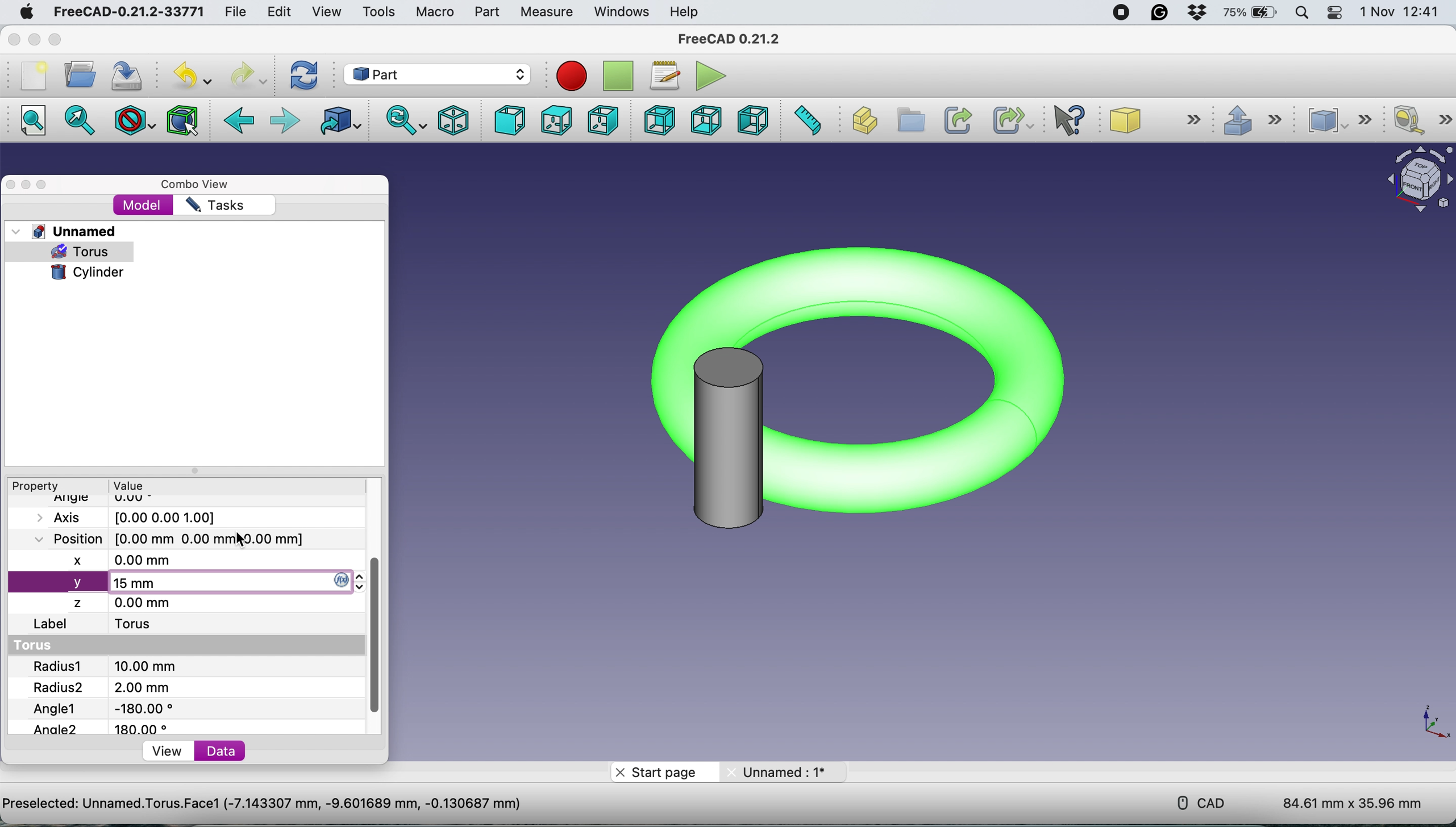 The image size is (1456, 827). What do you see at coordinates (809, 120) in the screenshot?
I see `measure distance` at bounding box center [809, 120].